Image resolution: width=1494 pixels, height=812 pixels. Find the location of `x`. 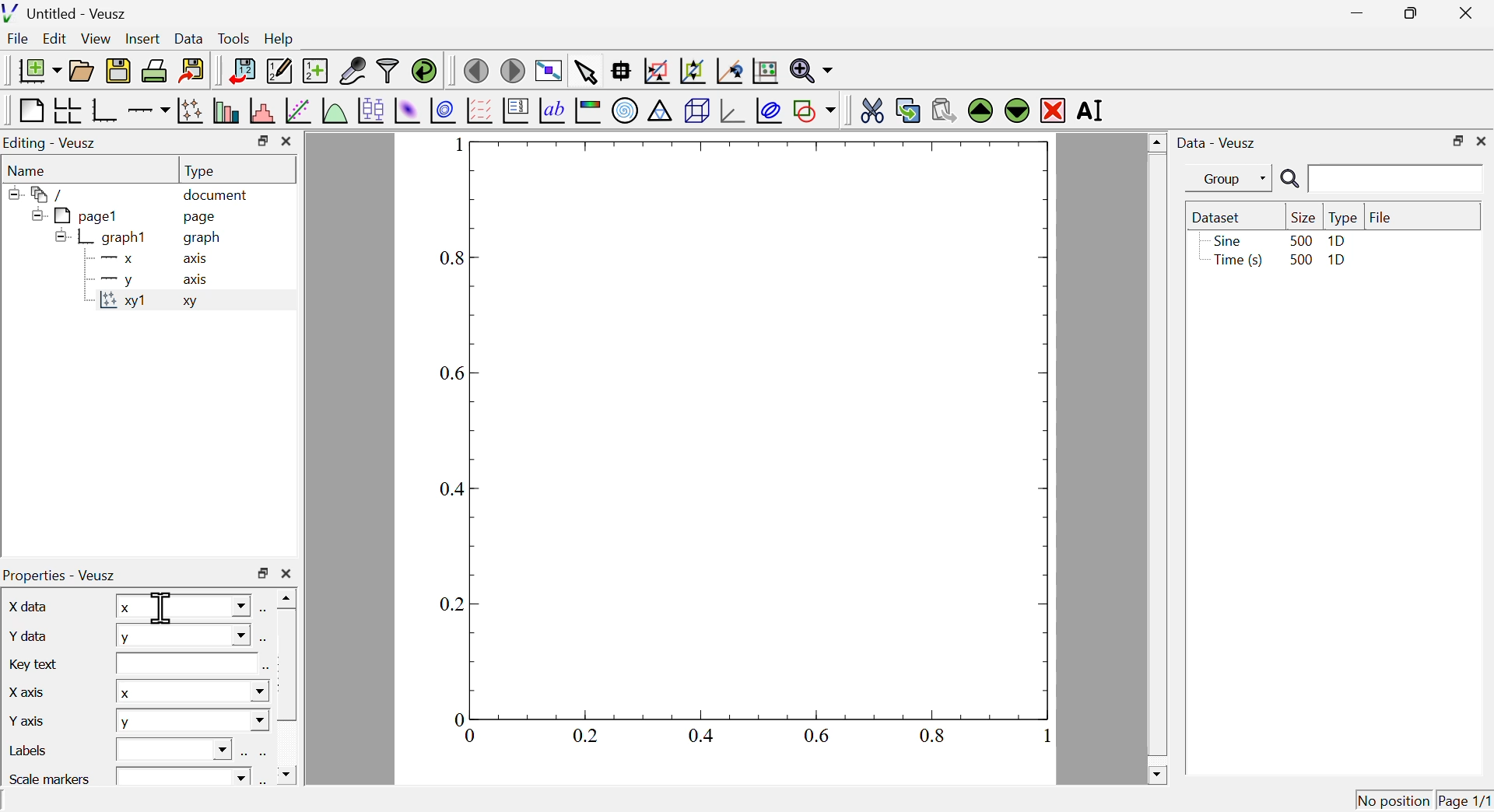

x is located at coordinates (191, 692).